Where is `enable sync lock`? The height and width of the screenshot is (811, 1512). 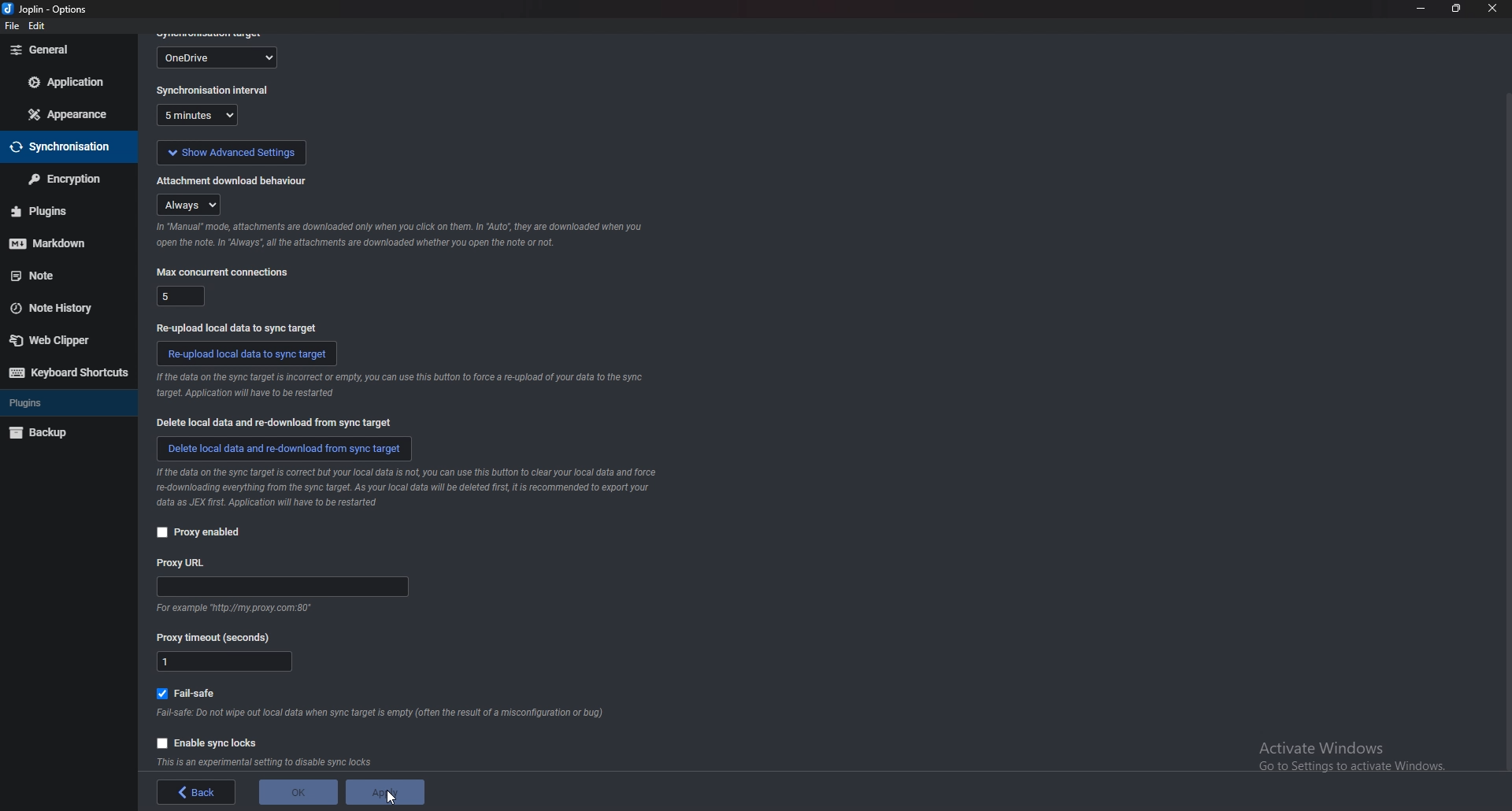
enable sync lock is located at coordinates (209, 741).